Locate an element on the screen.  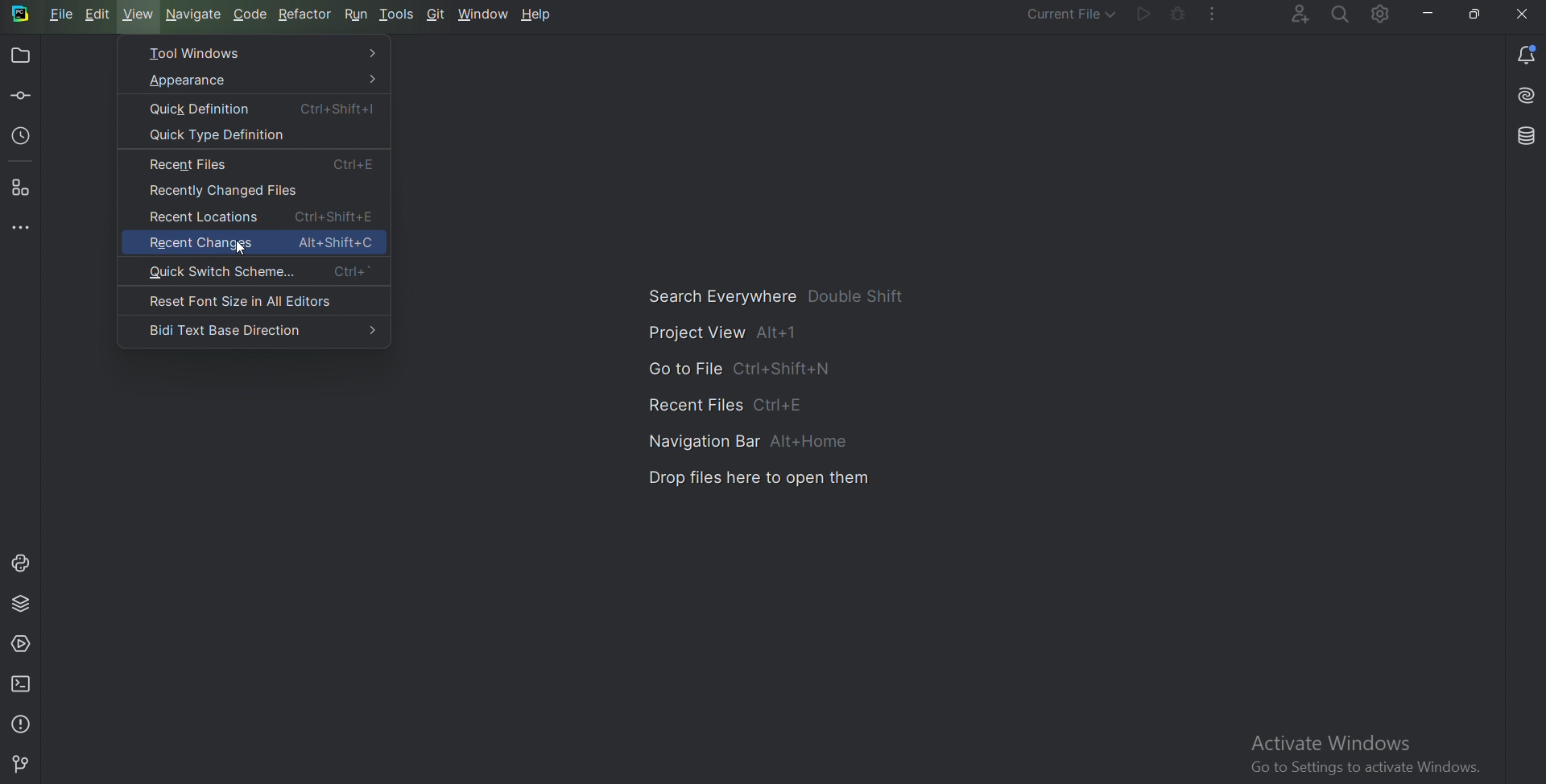
Recent locations is located at coordinates (254, 215).